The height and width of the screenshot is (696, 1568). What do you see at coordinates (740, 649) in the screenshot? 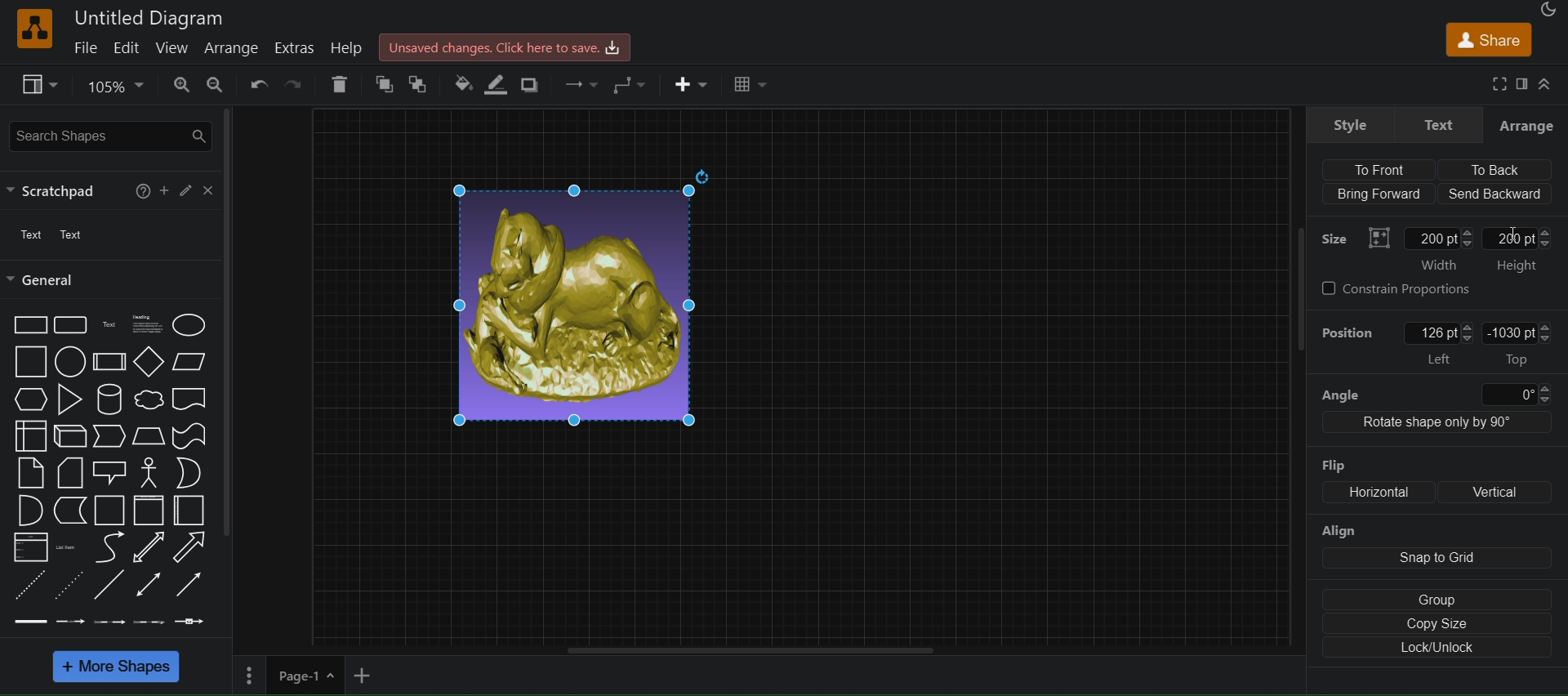
I see `horizontal scroll bar` at bounding box center [740, 649].